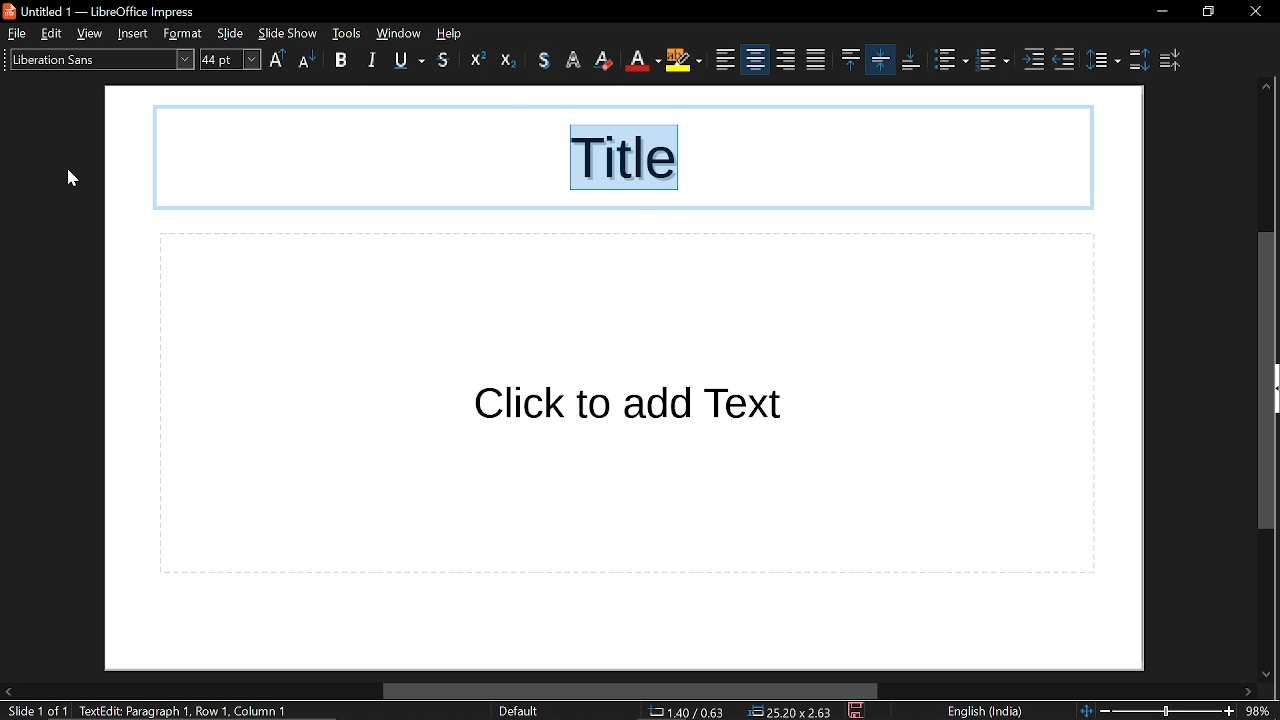 The image size is (1280, 720). Describe the element at coordinates (686, 61) in the screenshot. I see `align left` at that location.